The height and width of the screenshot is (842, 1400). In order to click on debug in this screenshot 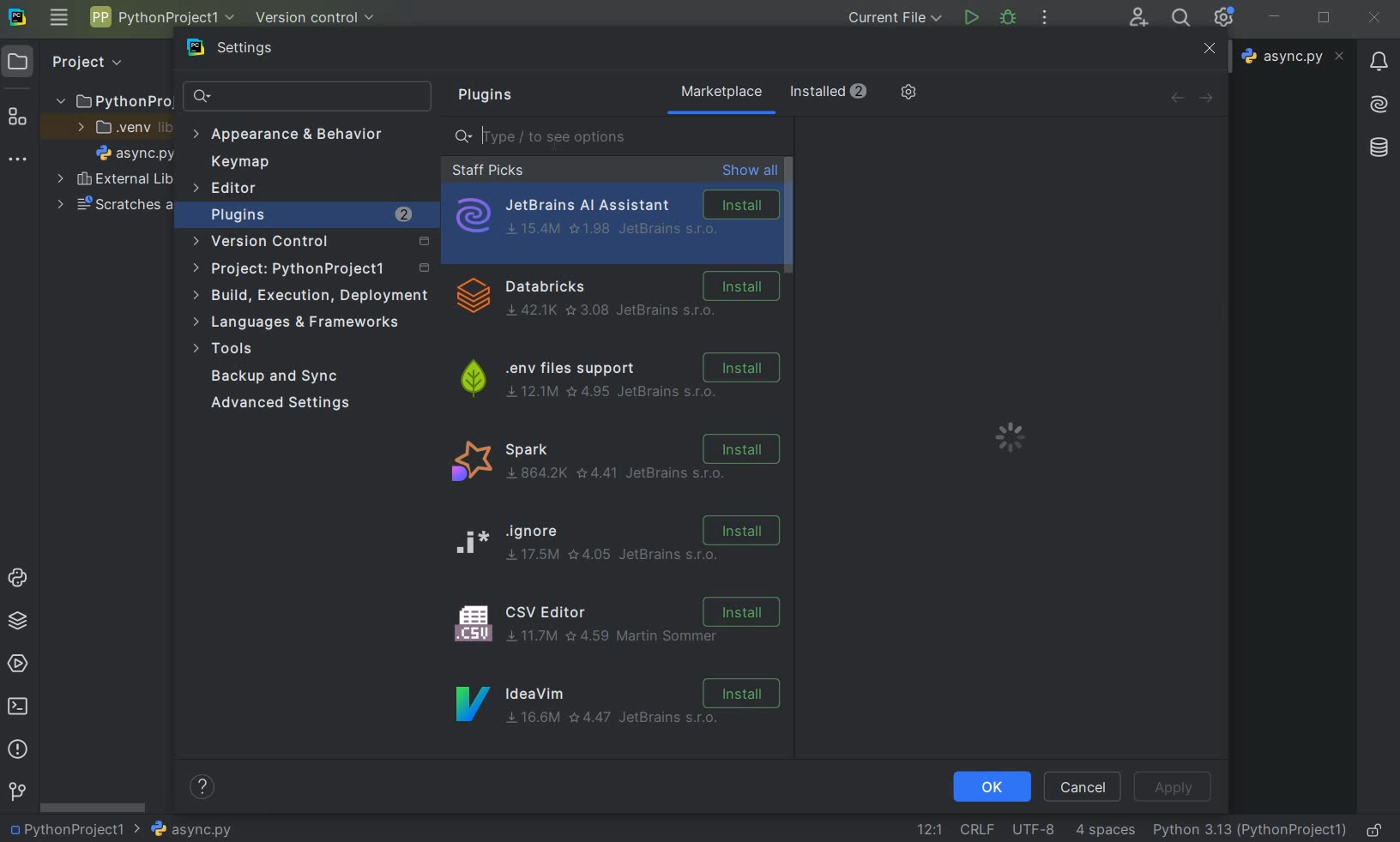, I will do `click(1010, 20)`.